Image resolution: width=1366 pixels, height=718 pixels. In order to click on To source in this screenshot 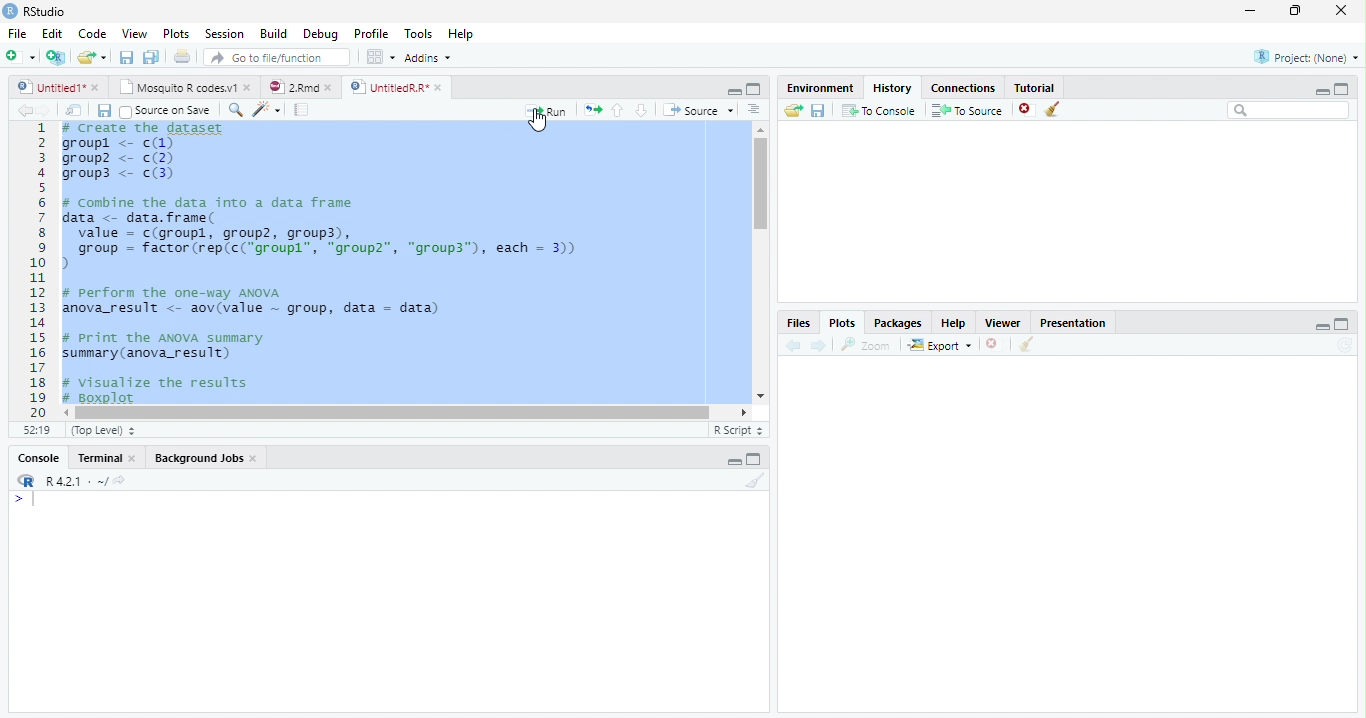, I will do `click(970, 112)`.